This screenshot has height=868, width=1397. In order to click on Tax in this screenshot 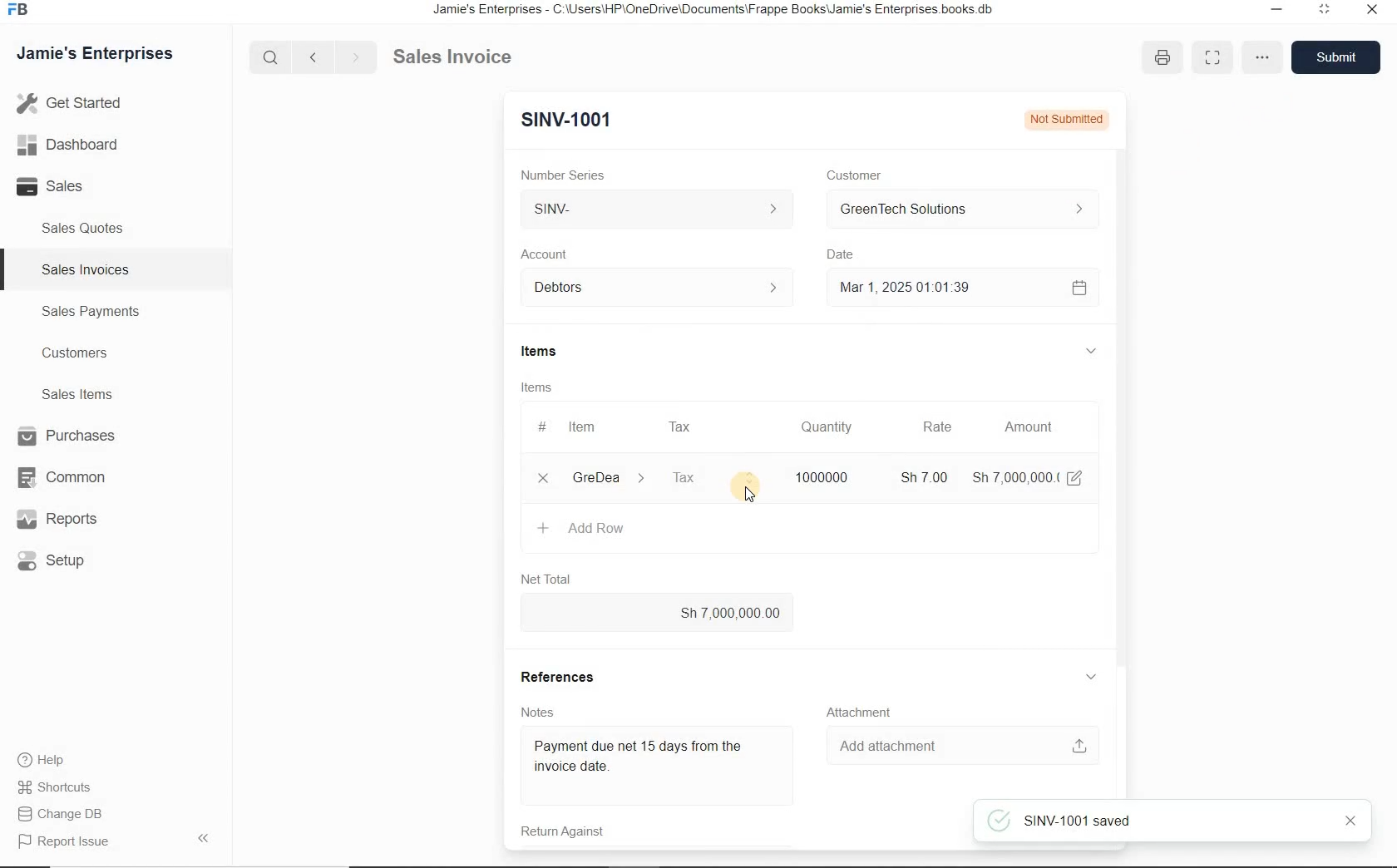, I will do `click(682, 426)`.